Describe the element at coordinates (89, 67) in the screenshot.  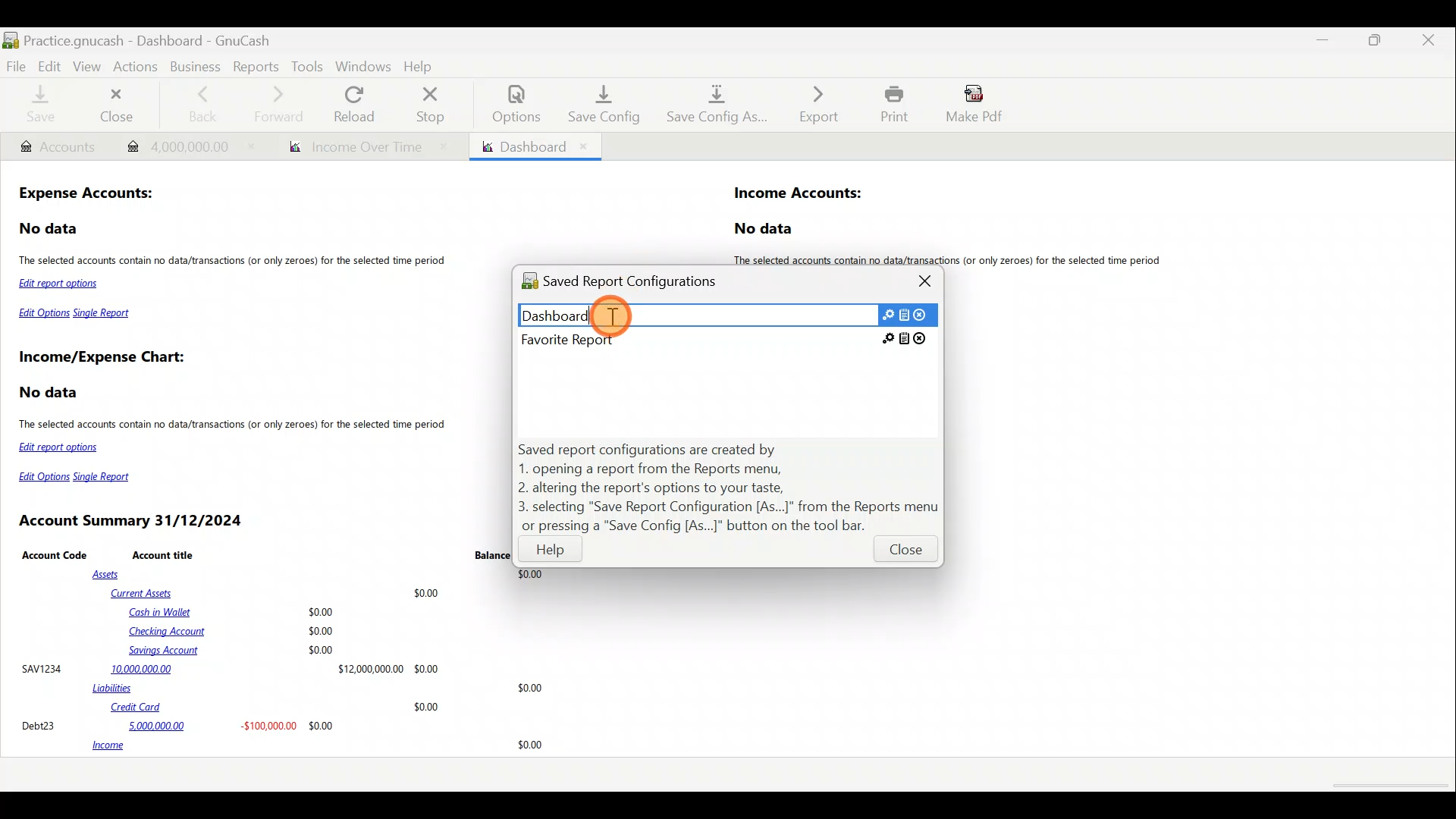
I see `View` at that location.